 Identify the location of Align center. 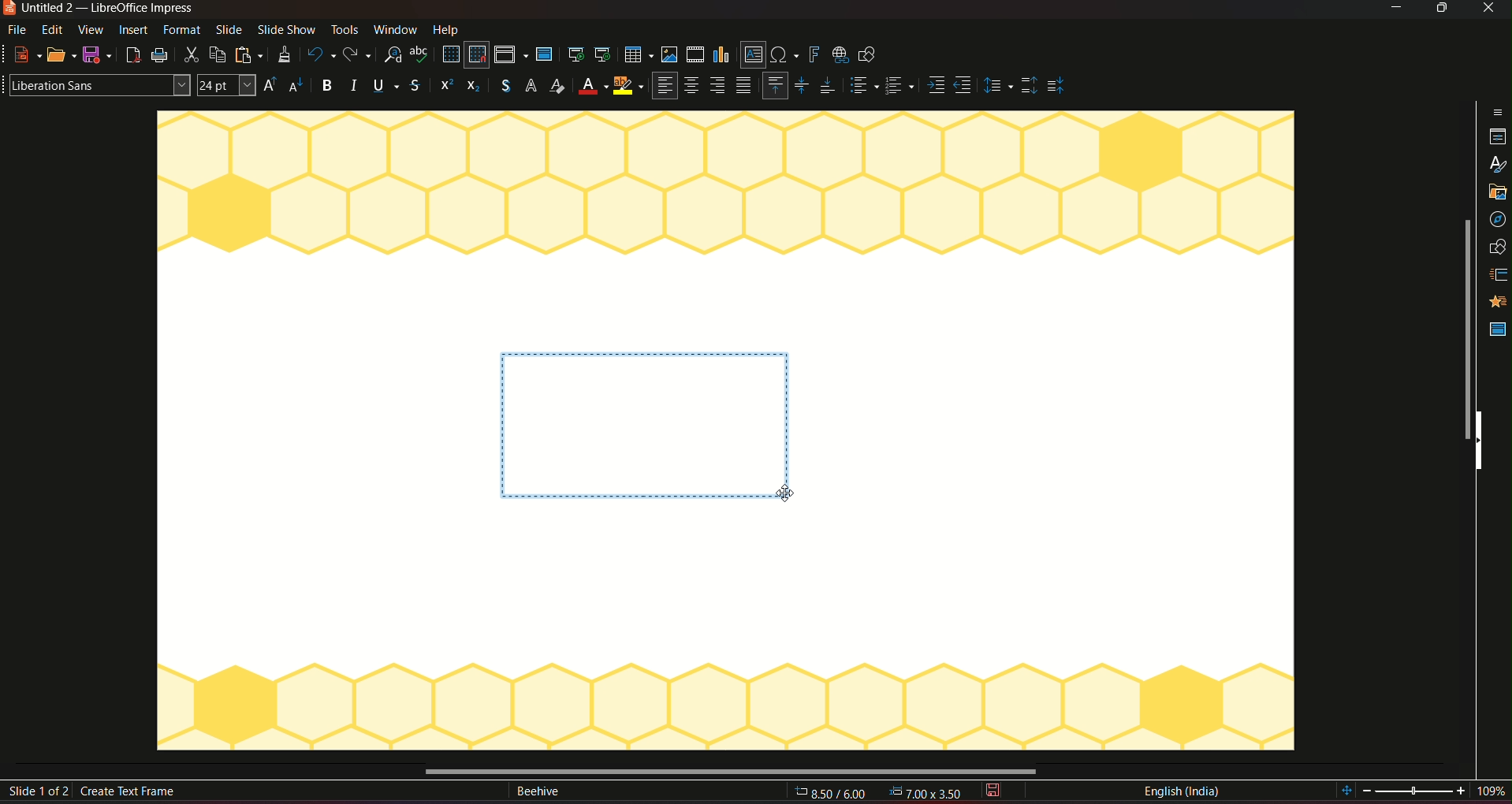
(693, 87).